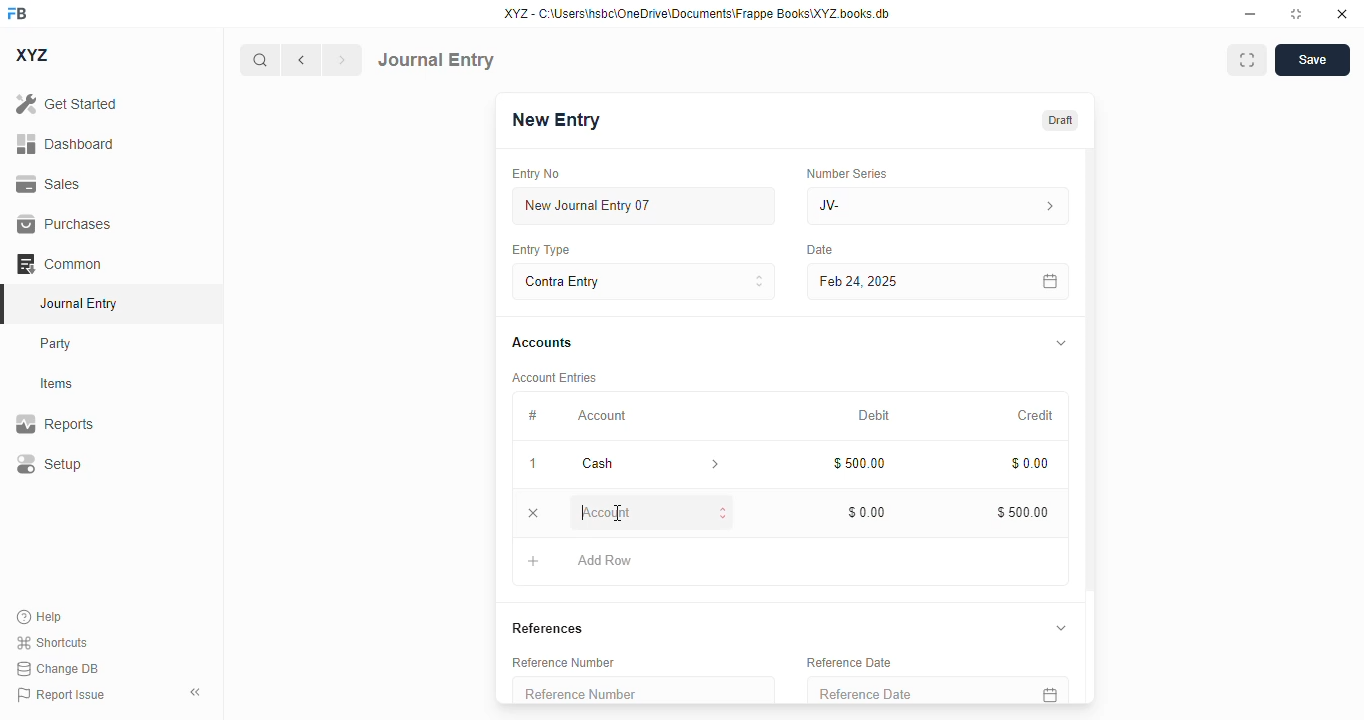 The image size is (1364, 720). Describe the element at coordinates (895, 282) in the screenshot. I see `feb 24, 2025` at that location.